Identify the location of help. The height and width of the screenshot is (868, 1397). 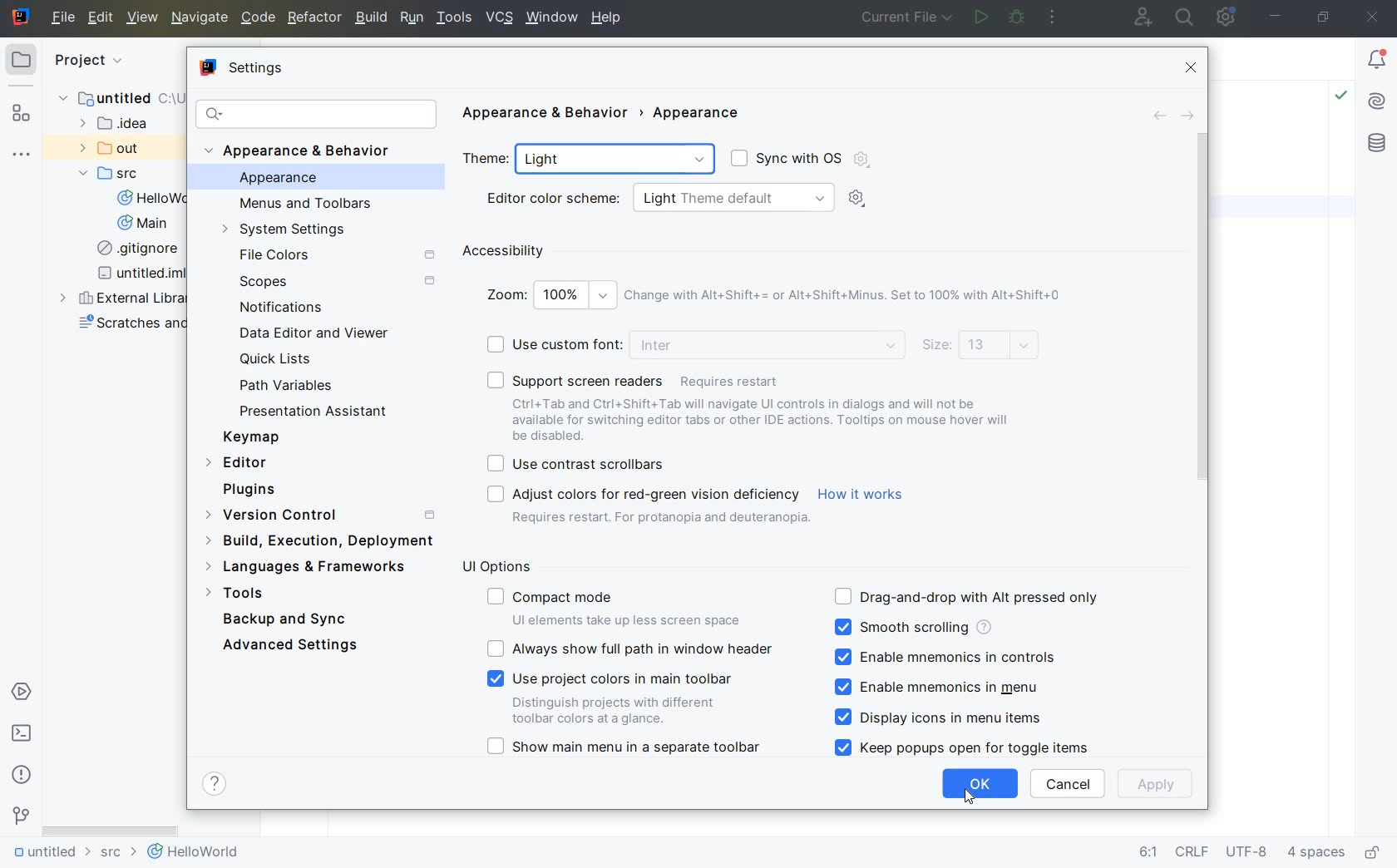
(217, 784).